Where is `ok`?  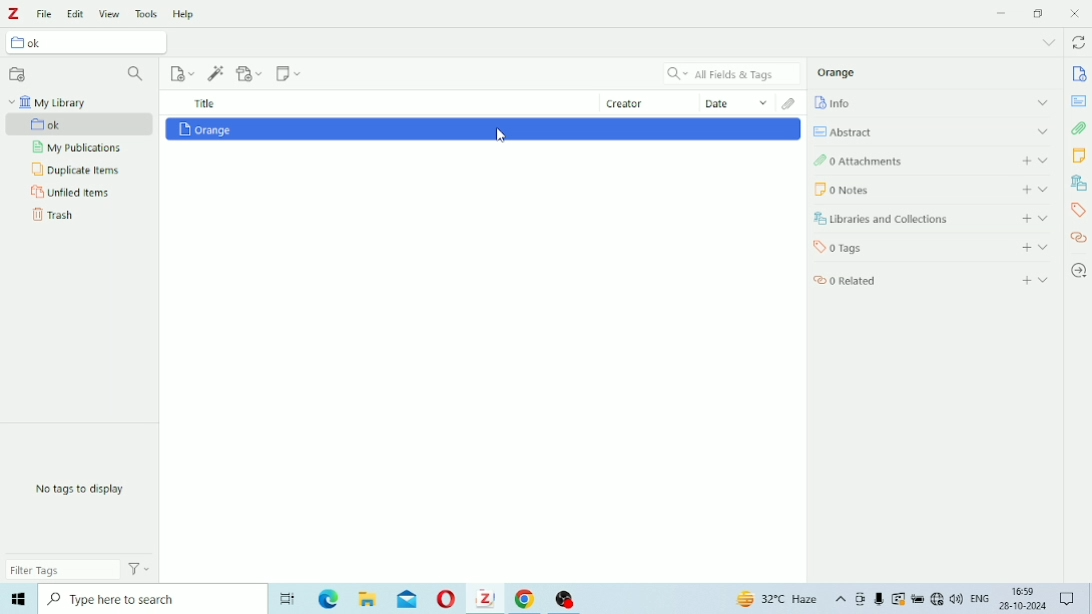 ok is located at coordinates (81, 125).